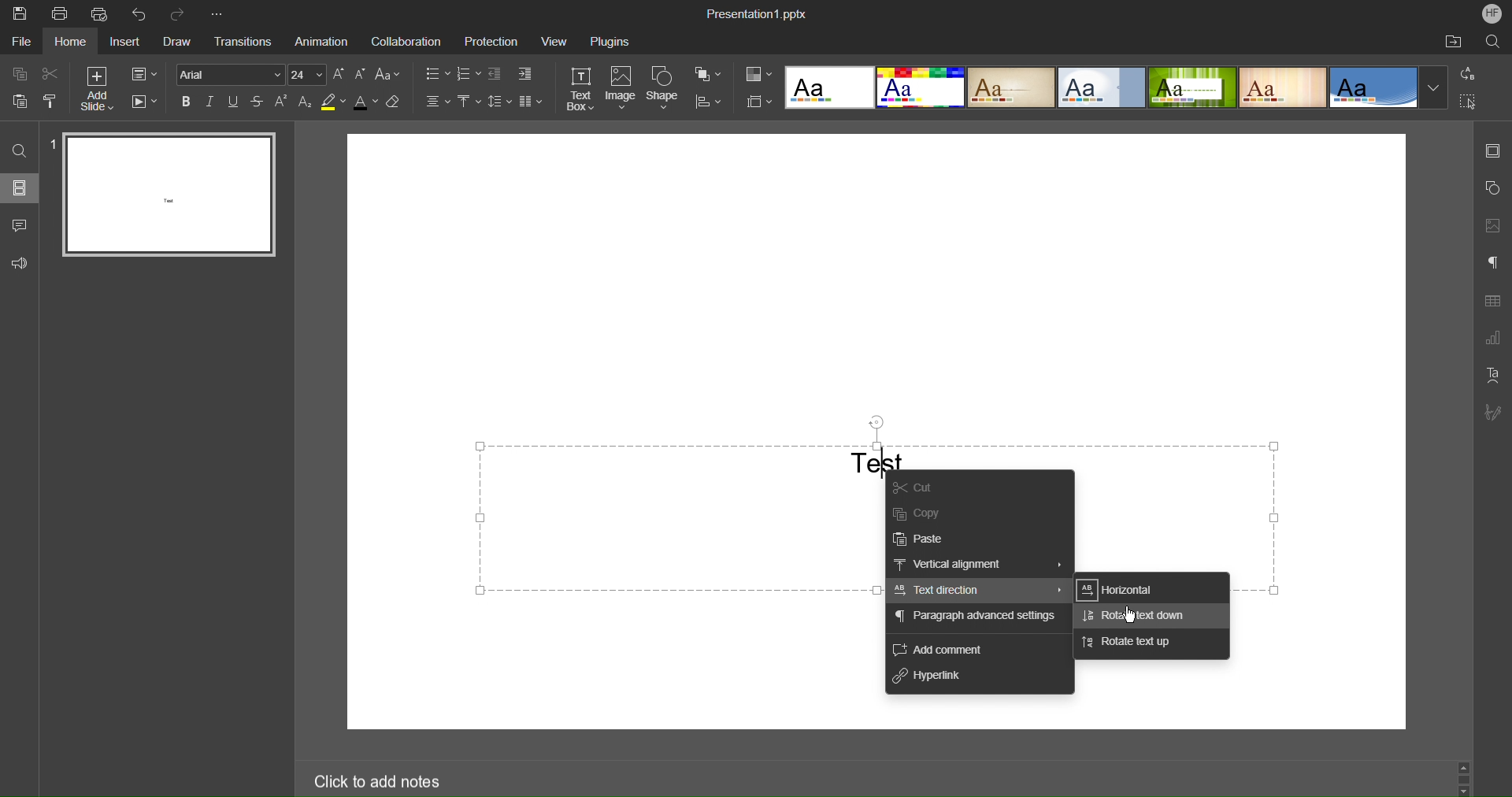 The image size is (1512, 797). Describe the element at coordinates (1492, 226) in the screenshot. I see `Image Settings` at that location.